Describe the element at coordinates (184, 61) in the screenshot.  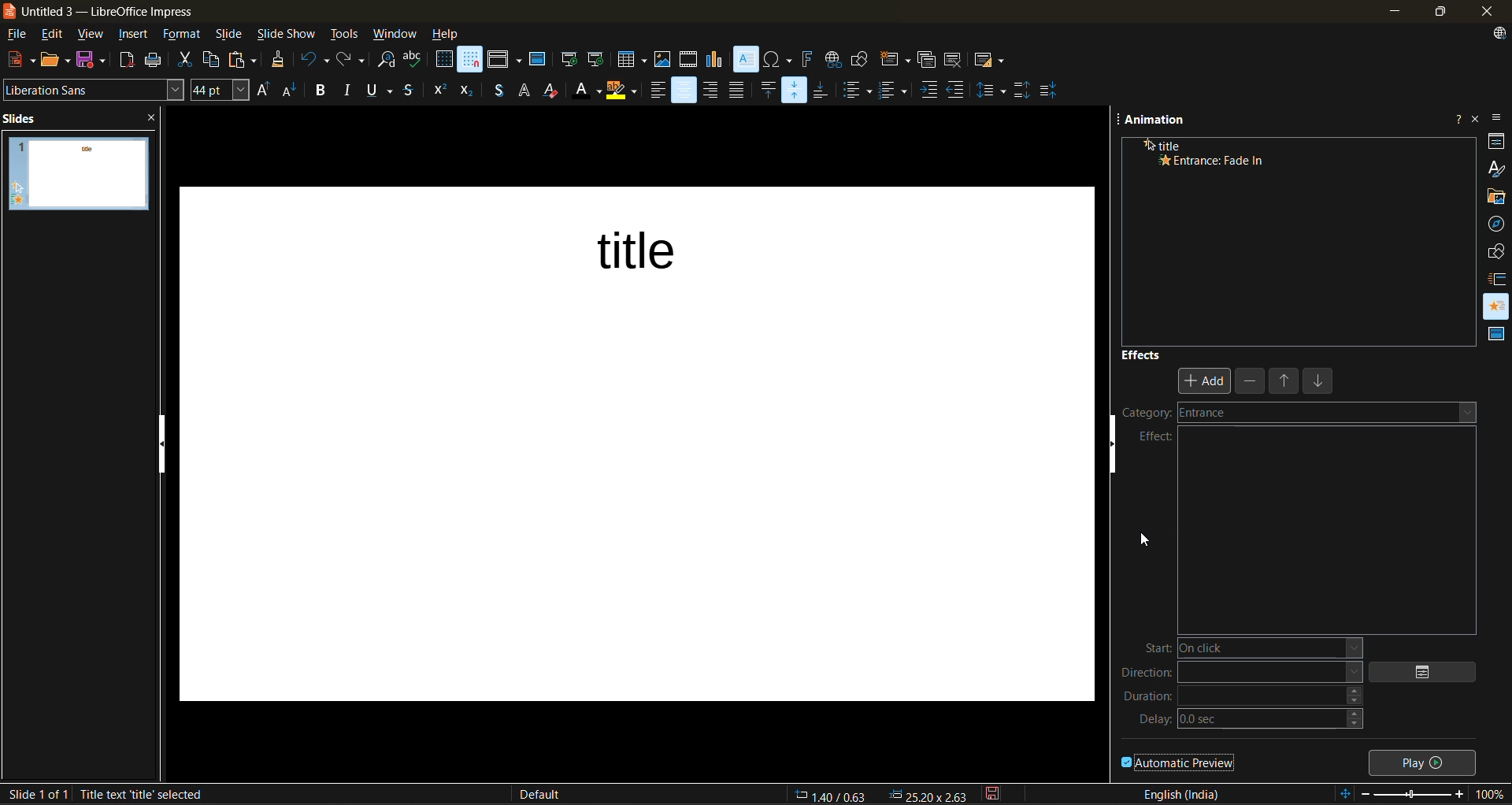
I see `cut` at that location.